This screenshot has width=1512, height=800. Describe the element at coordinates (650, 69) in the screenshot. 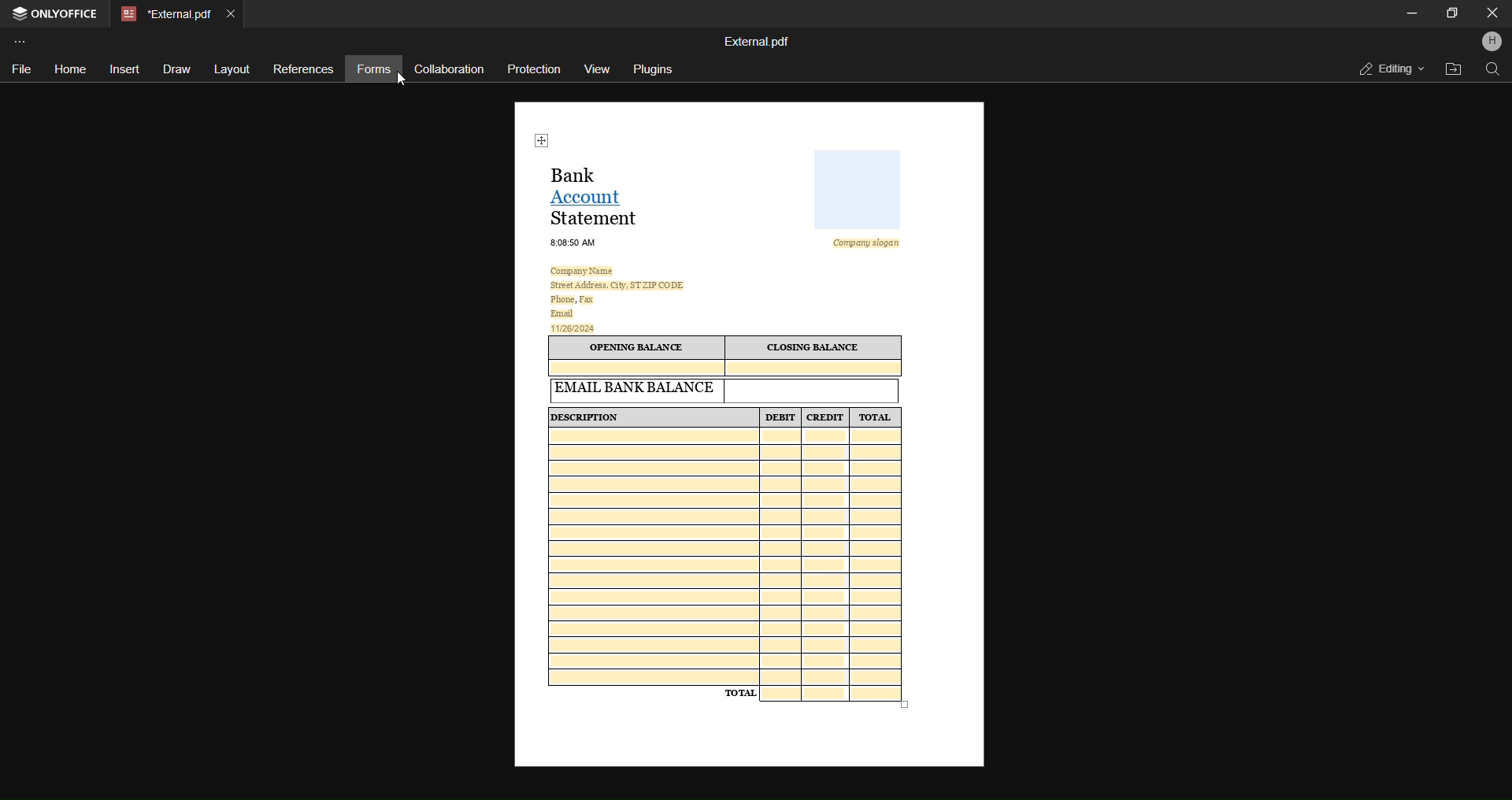

I see `plugins` at that location.